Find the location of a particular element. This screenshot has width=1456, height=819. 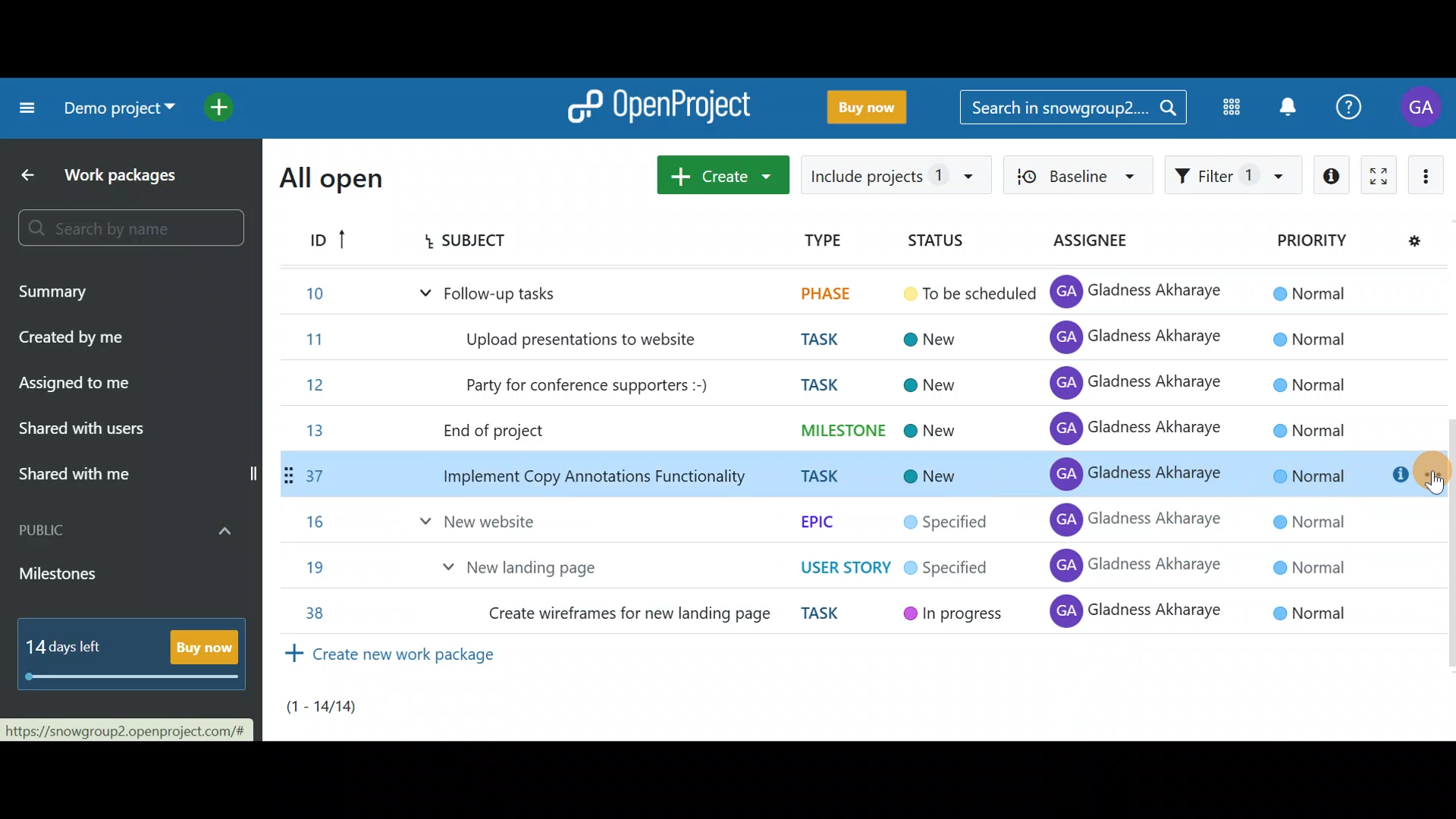

37 is located at coordinates (309, 477).